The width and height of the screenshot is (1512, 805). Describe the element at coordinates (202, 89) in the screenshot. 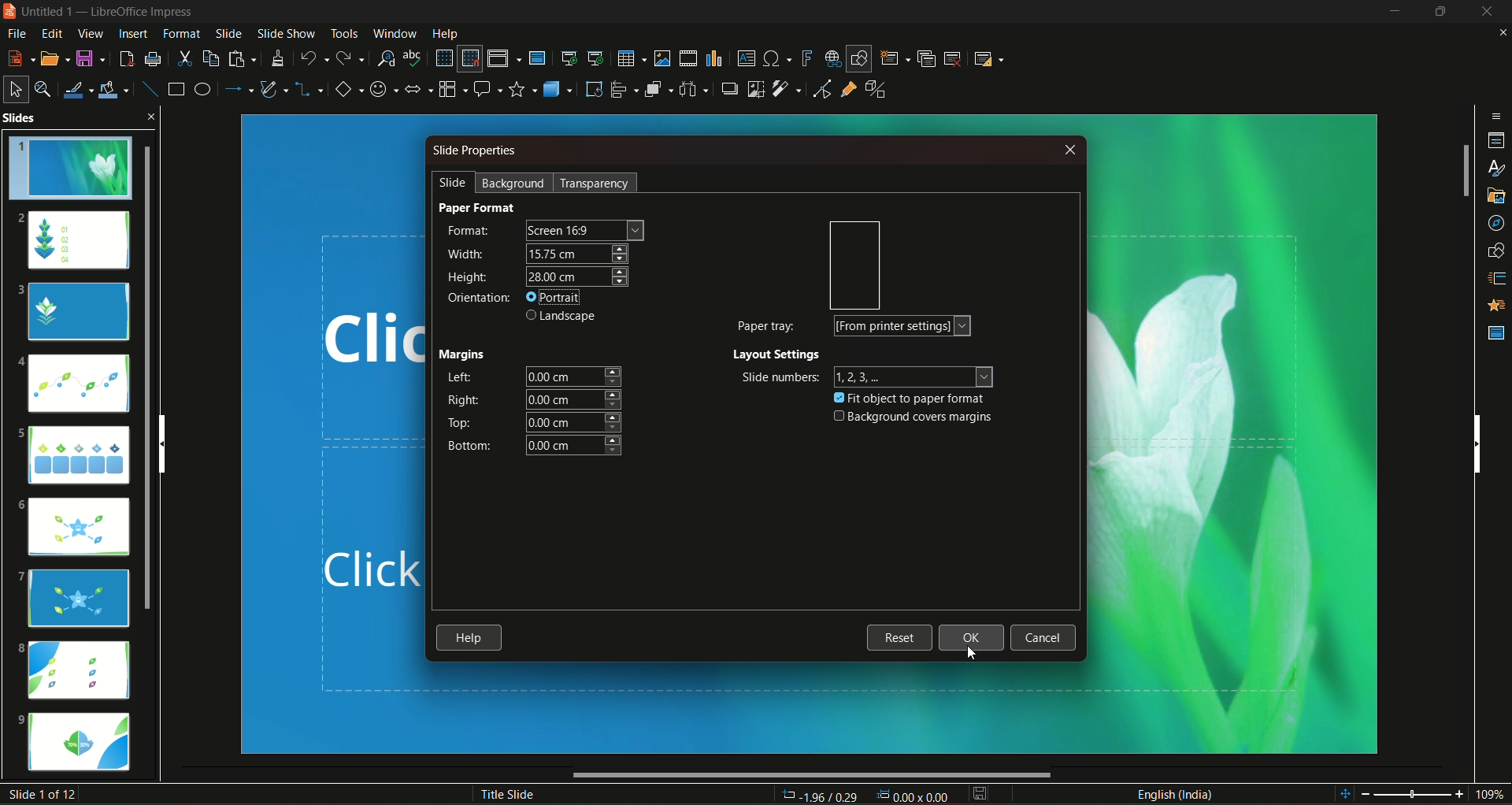

I see `ellipse` at that location.